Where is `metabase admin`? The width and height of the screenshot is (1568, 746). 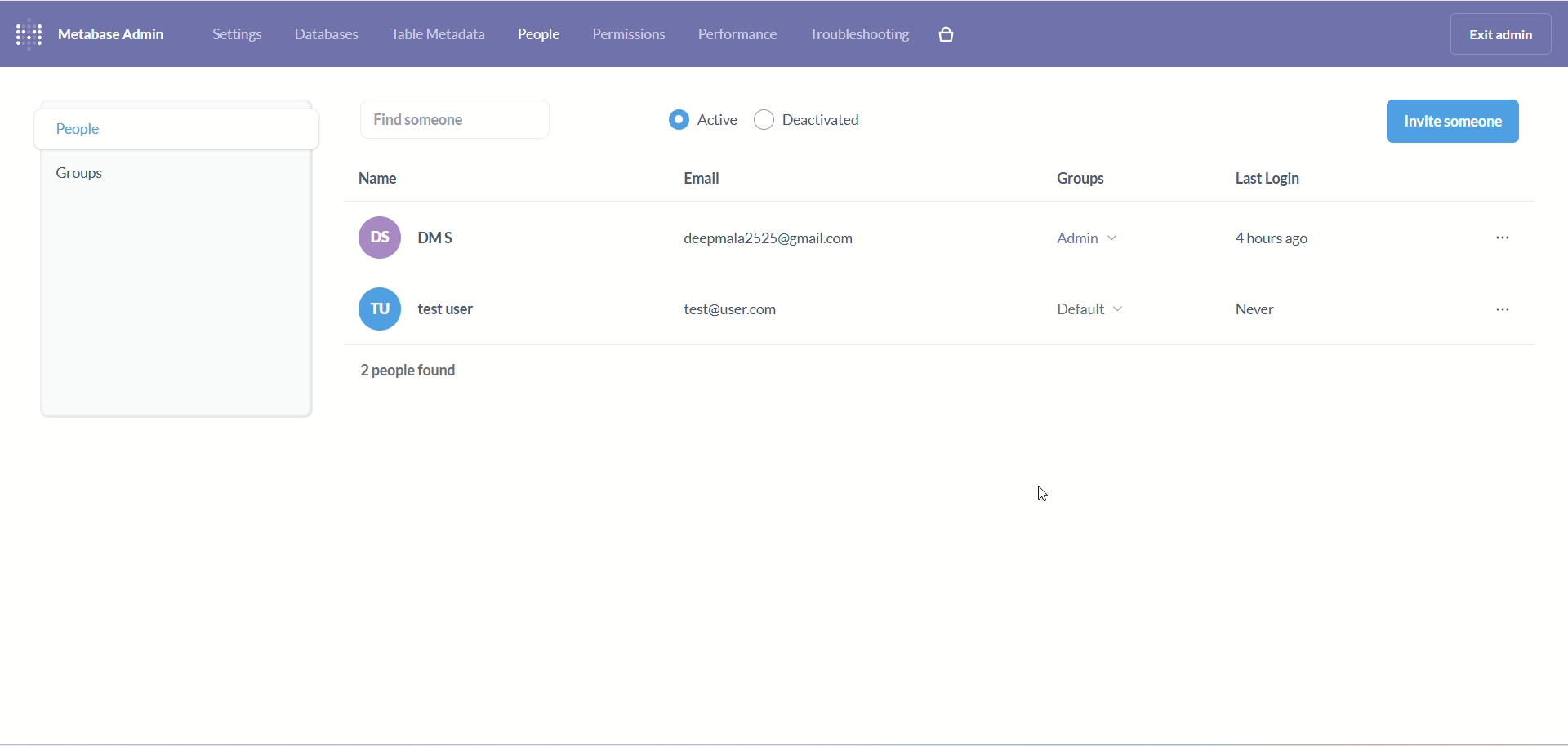 metabase admin is located at coordinates (118, 38).